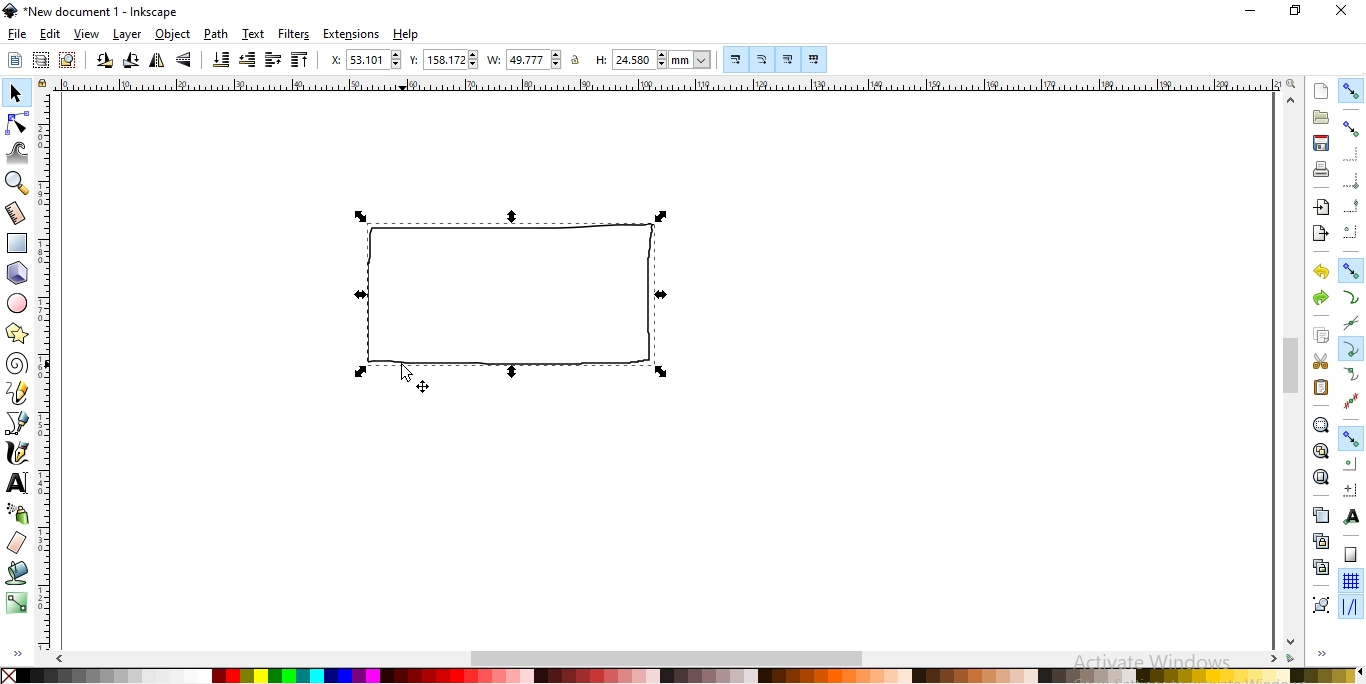 The width and height of the screenshot is (1366, 684). Describe the element at coordinates (1321, 118) in the screenshot. I see `open an existing document` at that location.